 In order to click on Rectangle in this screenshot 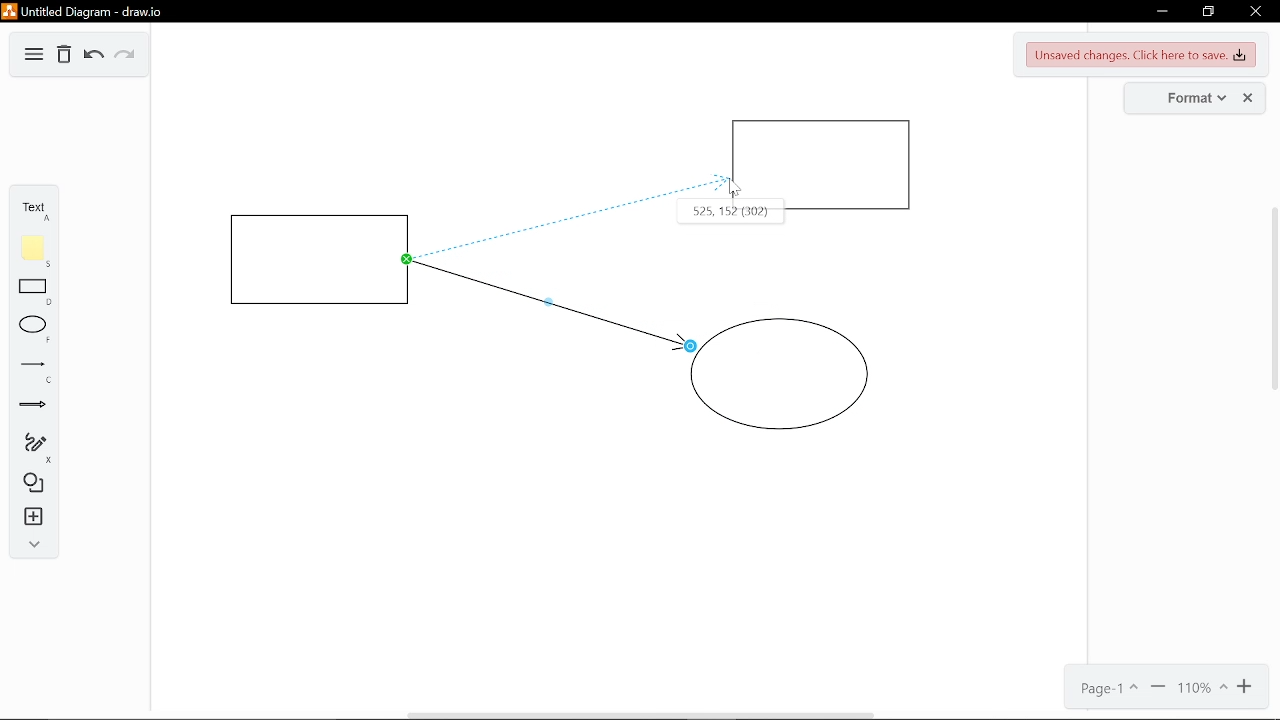, I will do `click(35, 291)`.